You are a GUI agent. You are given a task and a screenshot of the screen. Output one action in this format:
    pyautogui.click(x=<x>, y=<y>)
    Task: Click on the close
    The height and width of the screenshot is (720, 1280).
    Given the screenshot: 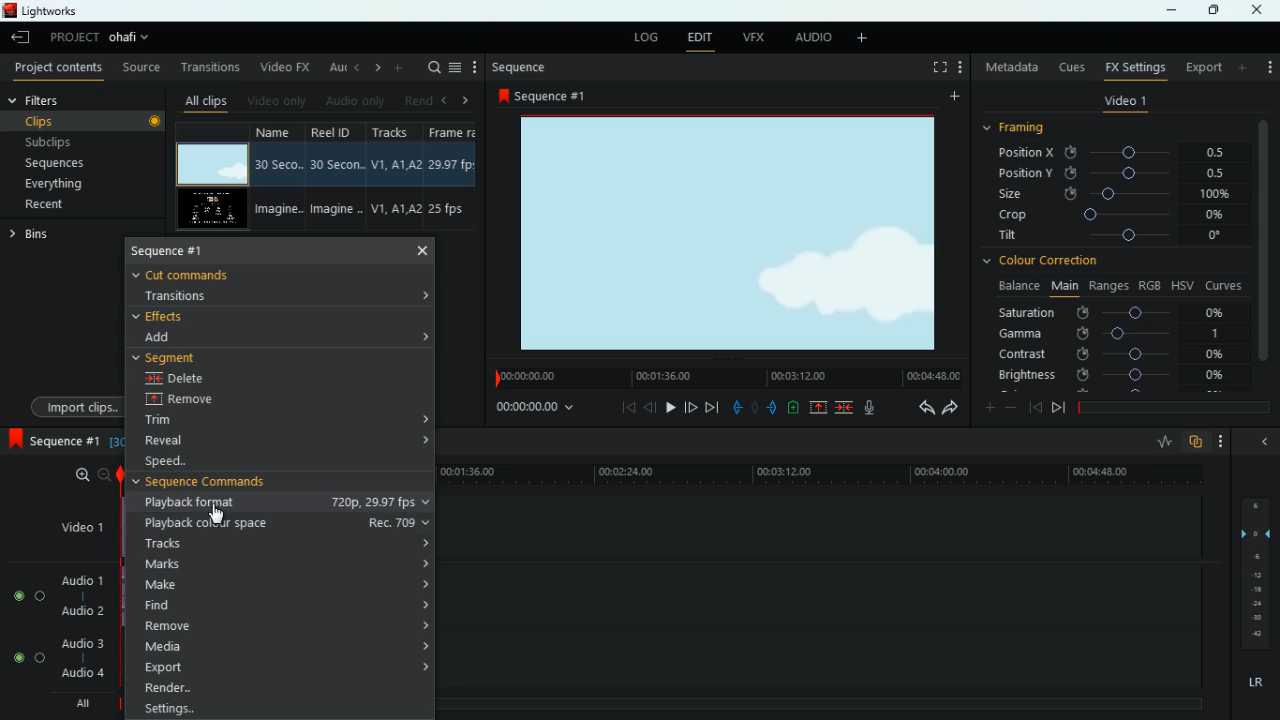 What is the action you would take?
    pyautogui.click(x=422, y=252)
    